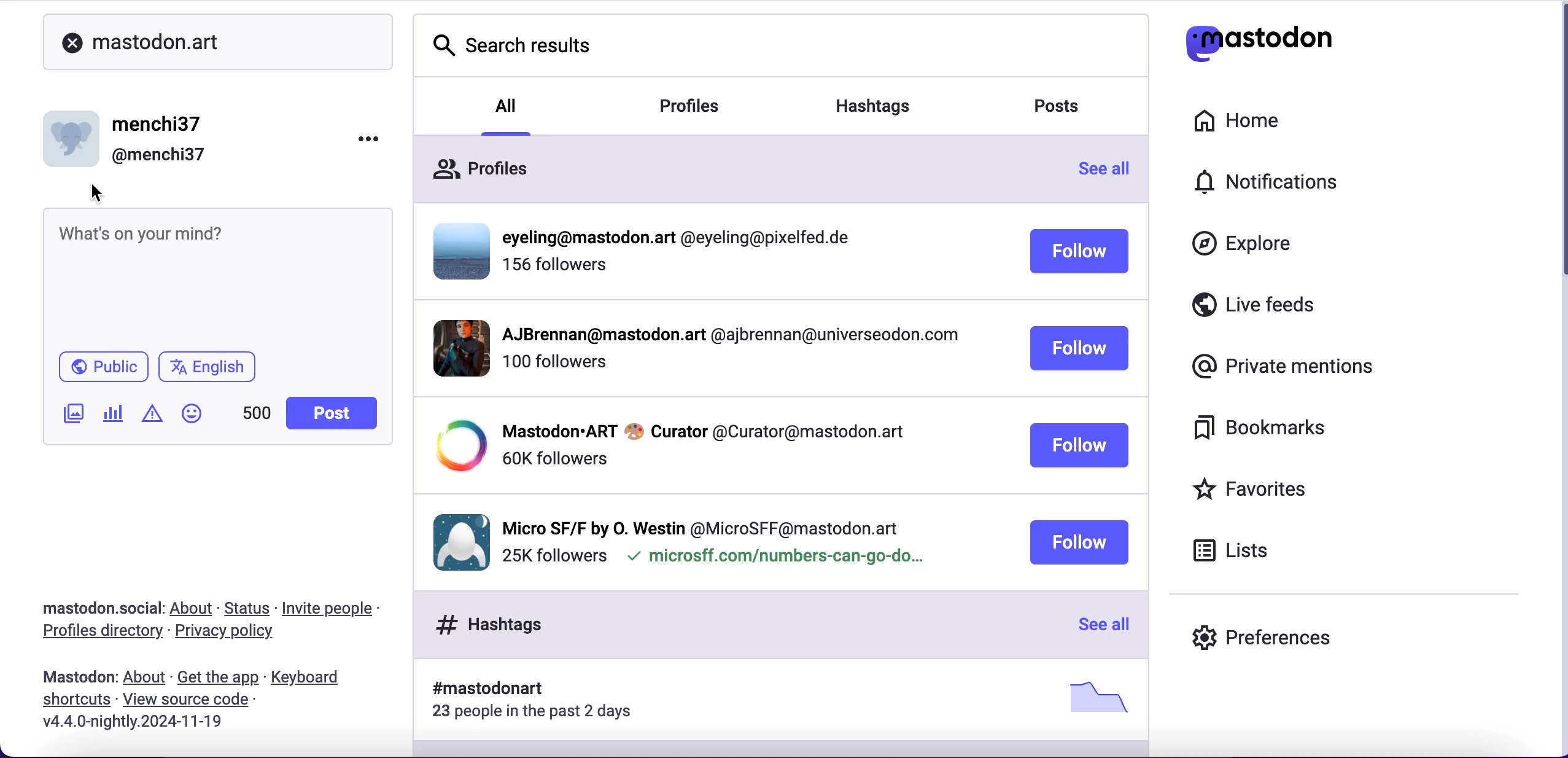 The width and height of the screenshot is (1568, 758). Describe the element at coordinates (1236, 550) in the screenshot. I see `lists` at that location.